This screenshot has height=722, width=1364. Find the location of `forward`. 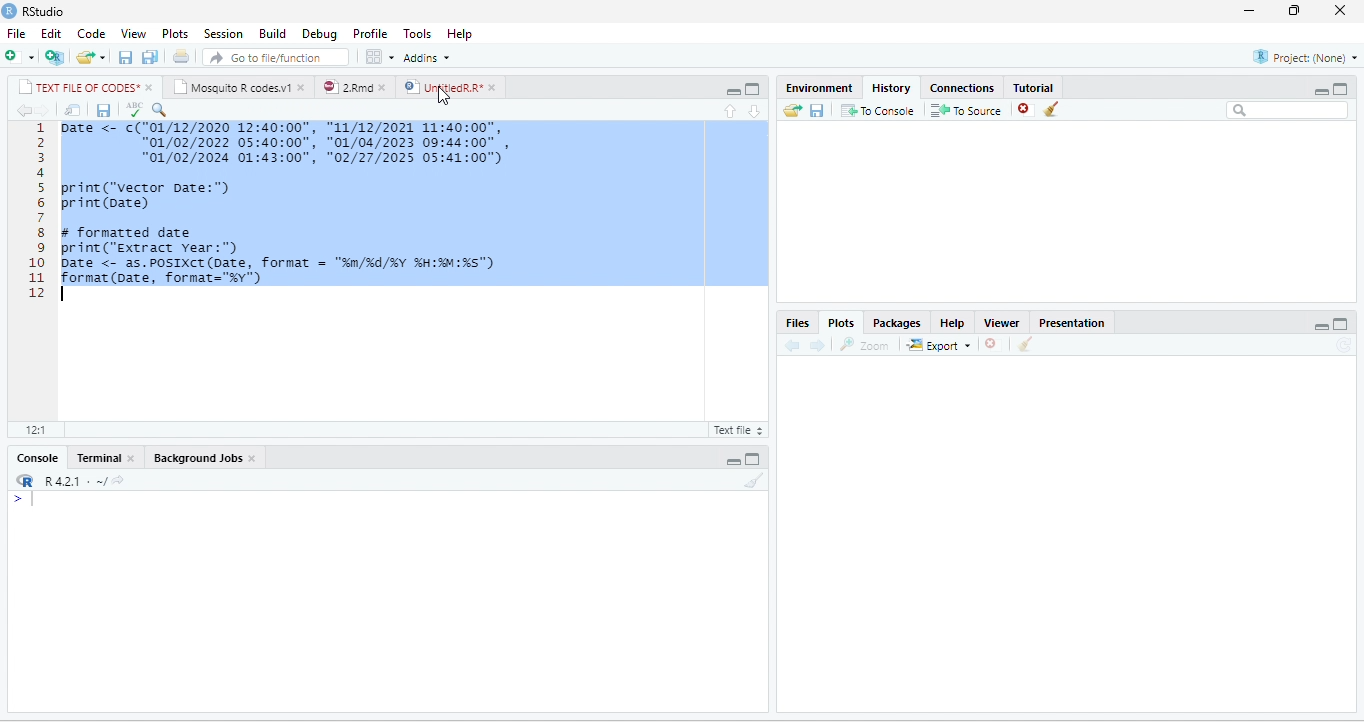

forward is located at coordinates (817, 345).